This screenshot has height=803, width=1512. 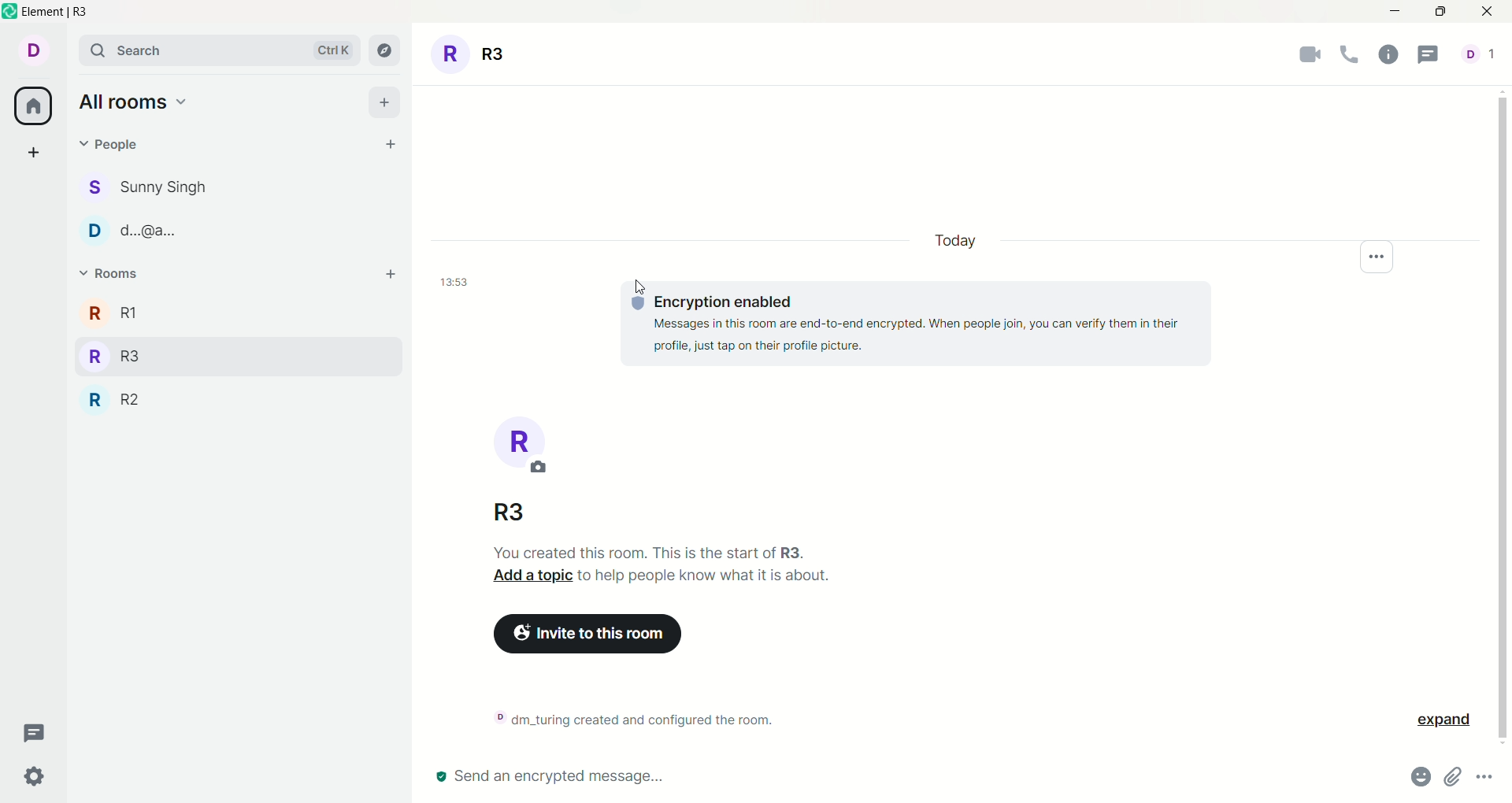 I want to click on Text, so click(x=663, y=565).